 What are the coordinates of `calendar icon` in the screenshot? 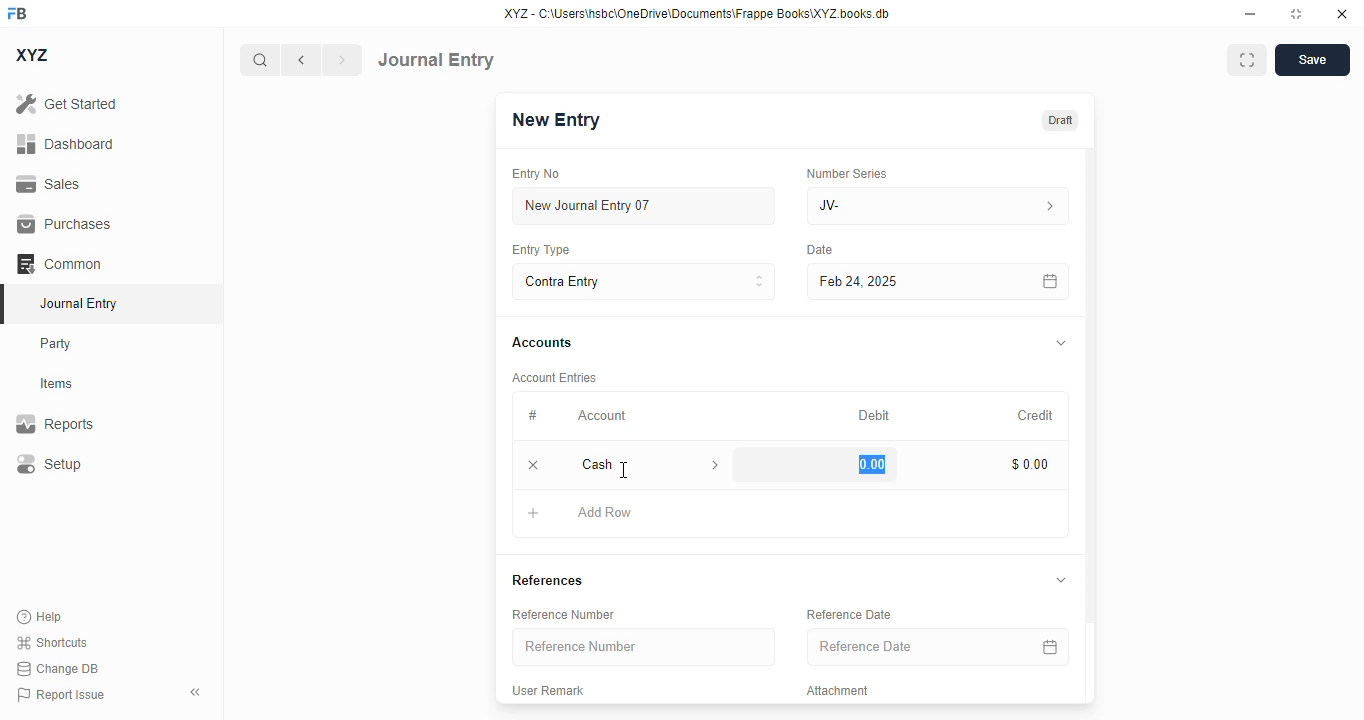 It's located at (1051, 281).